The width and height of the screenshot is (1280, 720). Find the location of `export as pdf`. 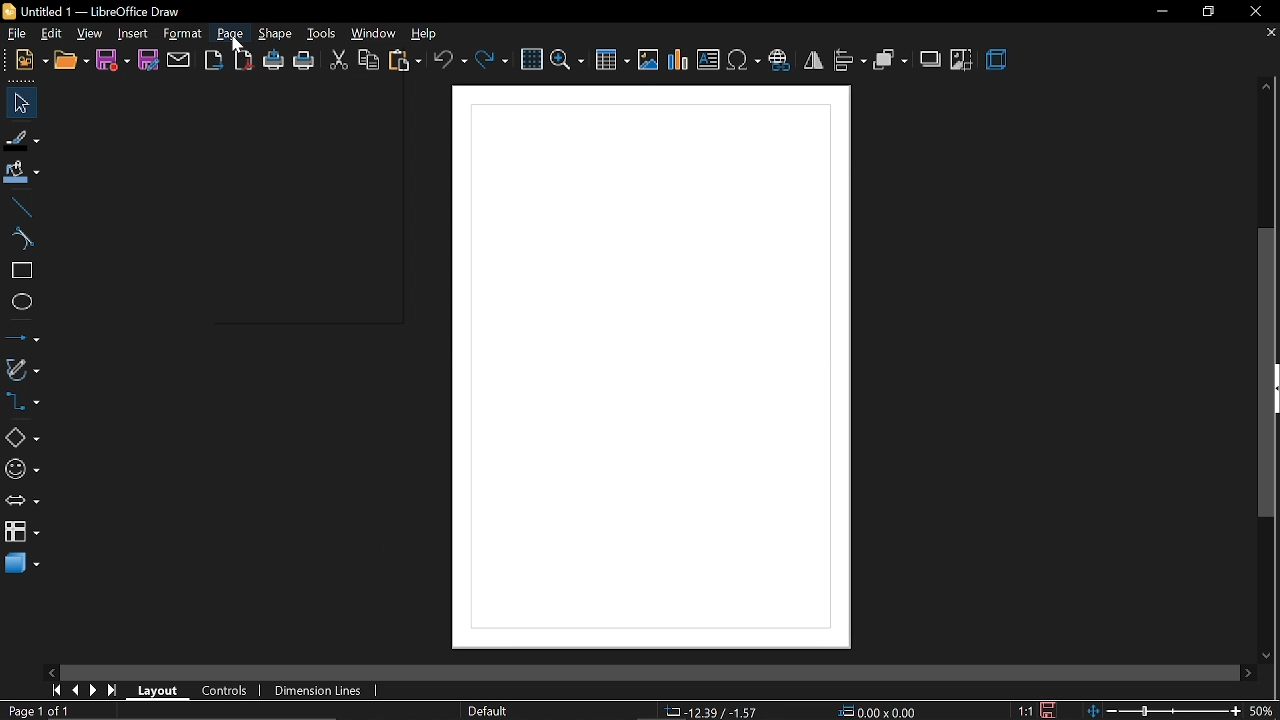

export as pdf is located at coordinates (243, 62).